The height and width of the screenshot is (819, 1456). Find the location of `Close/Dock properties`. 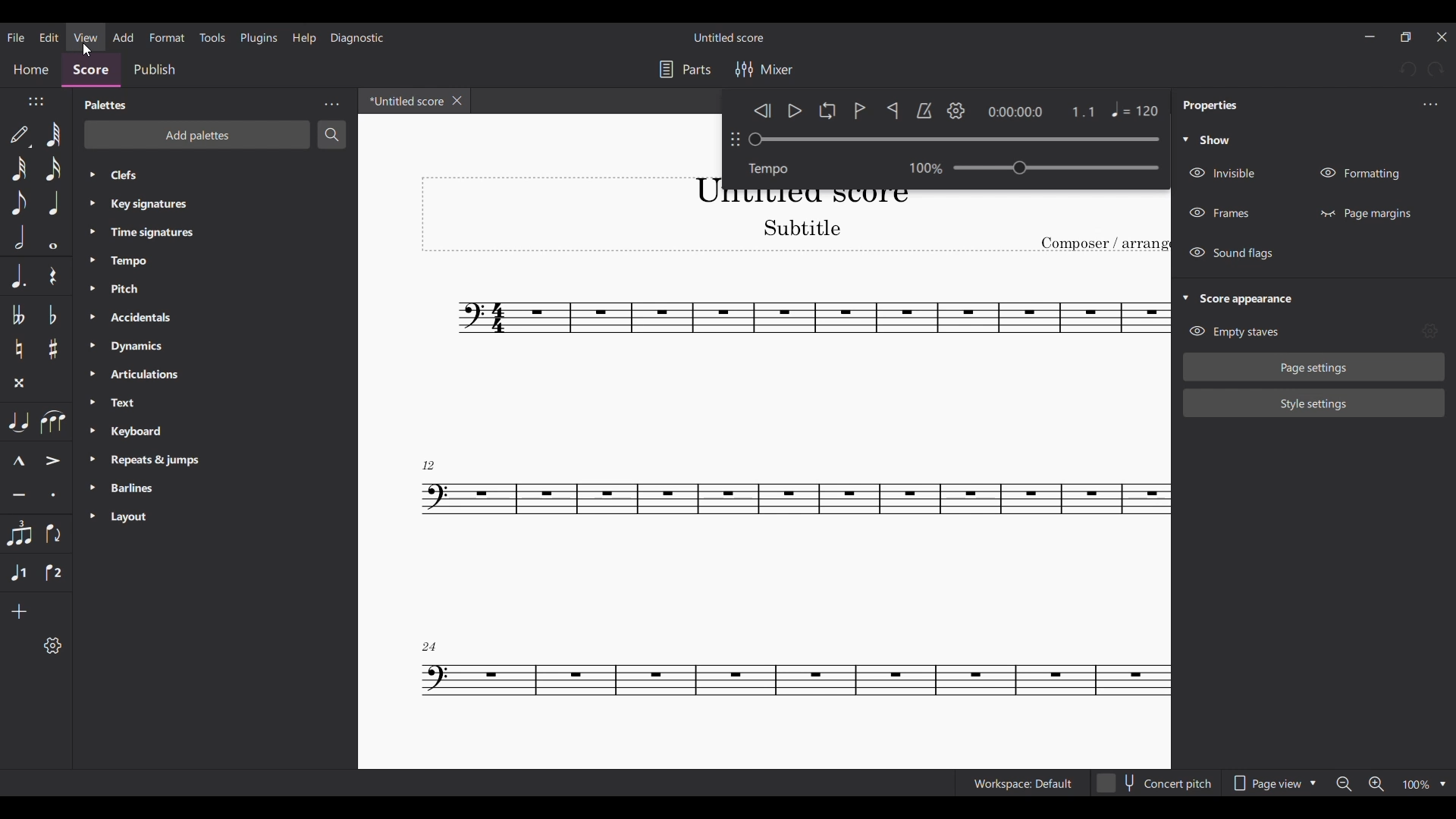

Close/Dock properties is located at coordinates (1431, 104).